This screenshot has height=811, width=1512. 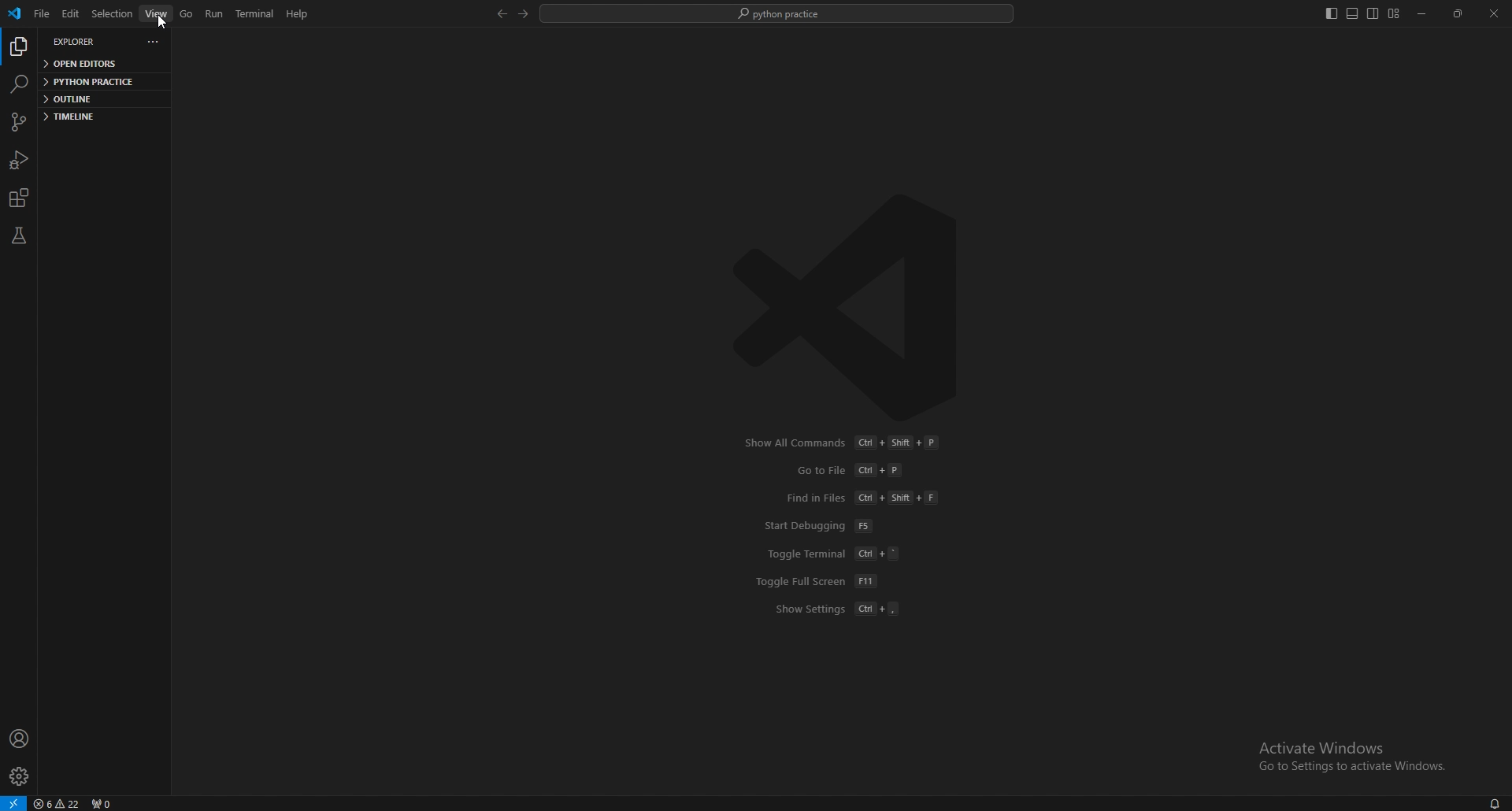 I want to click on find in files ctrl+shift+f, so click(x=862, y=498).